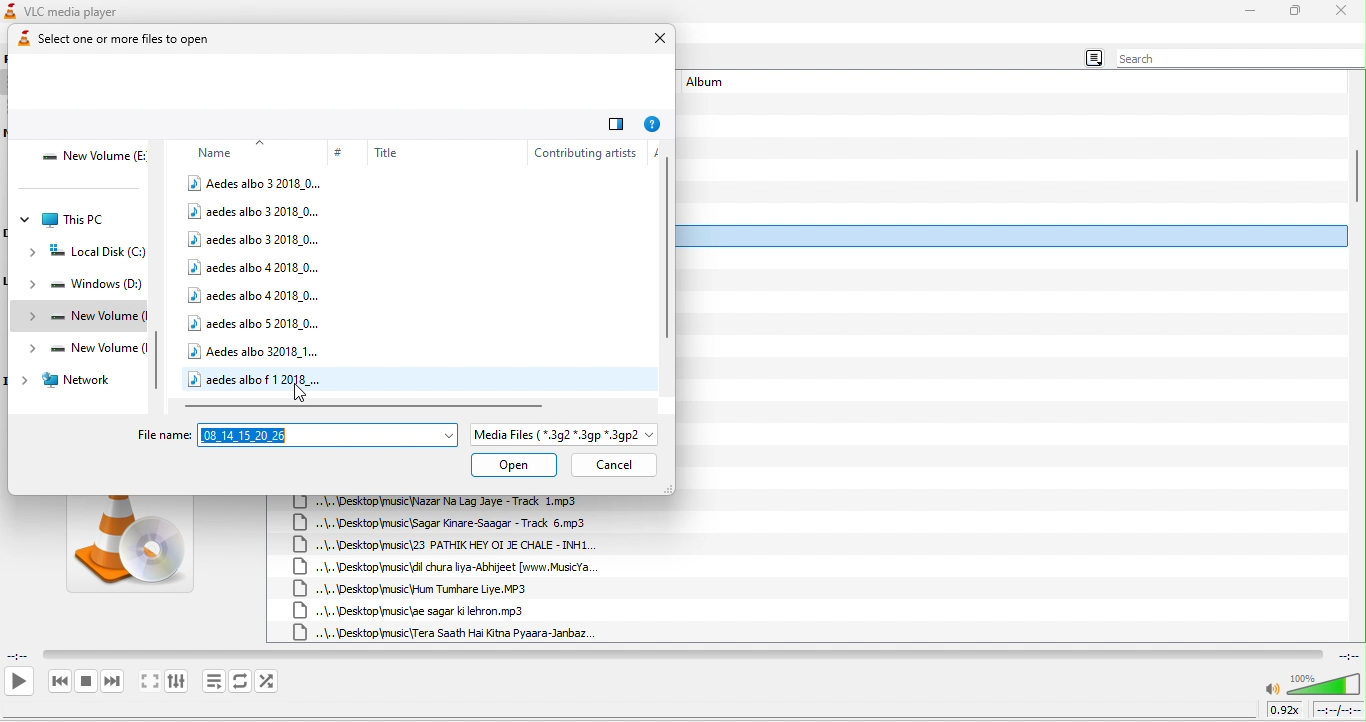 This screenshot has height=722, width=1366. Describe the element at coordinates (450, 502) in the screenshot. I see `\..\Desktop\music\Nazar Na Lag Jaye - Track 1.mp3` at that location.